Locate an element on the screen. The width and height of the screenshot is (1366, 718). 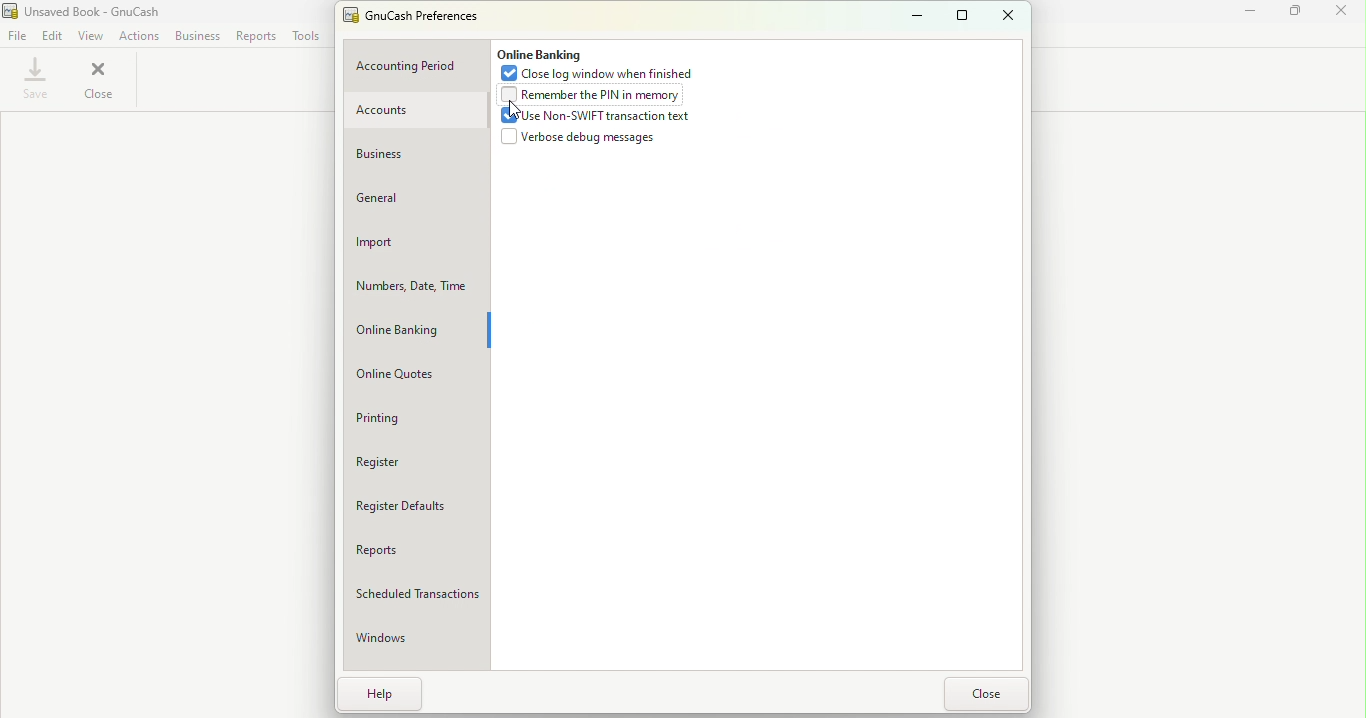
tools is located at coordinates (306, 37).